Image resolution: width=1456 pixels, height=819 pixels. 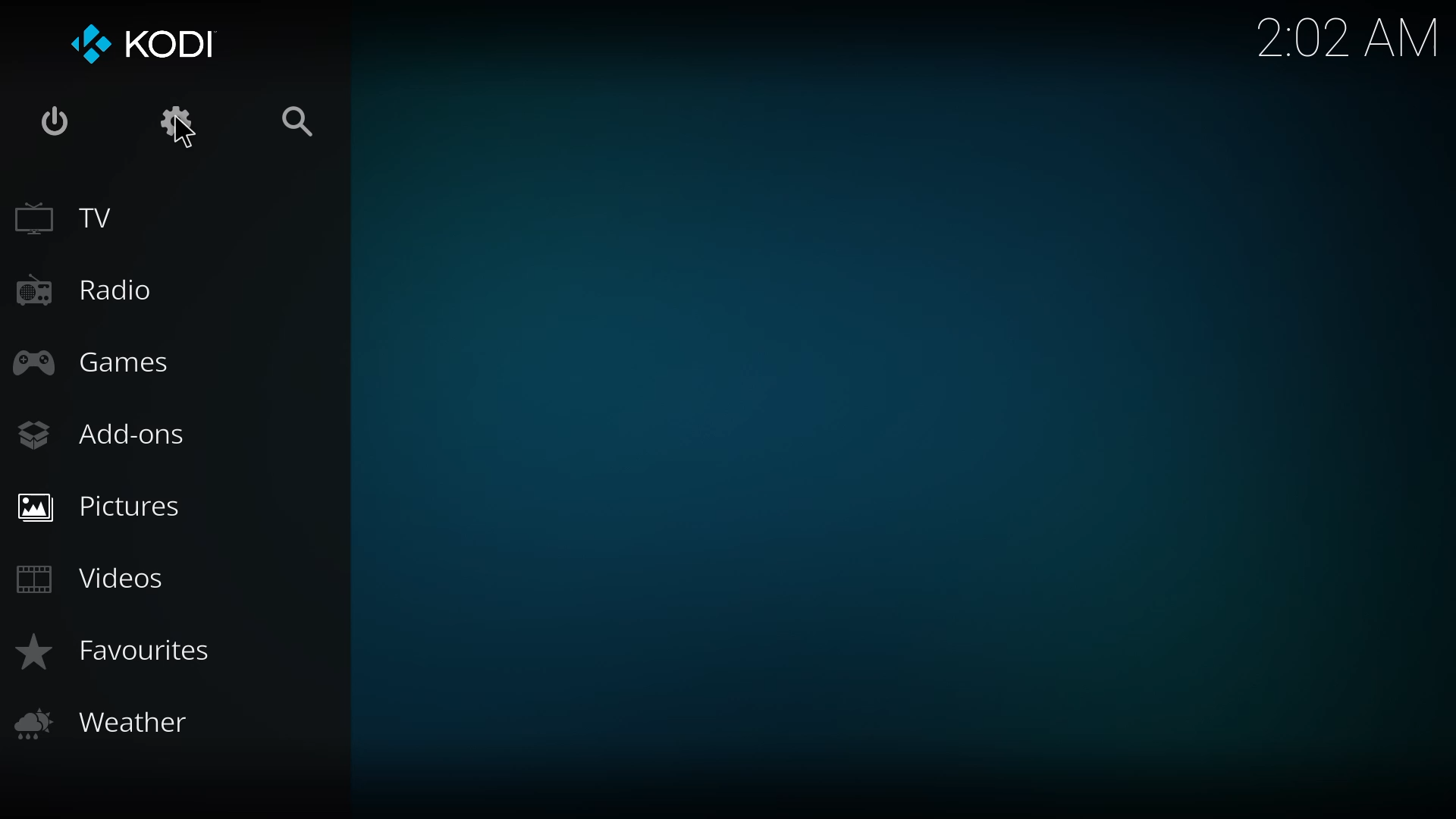 I want to click on videos, so click(x=93, y=577).